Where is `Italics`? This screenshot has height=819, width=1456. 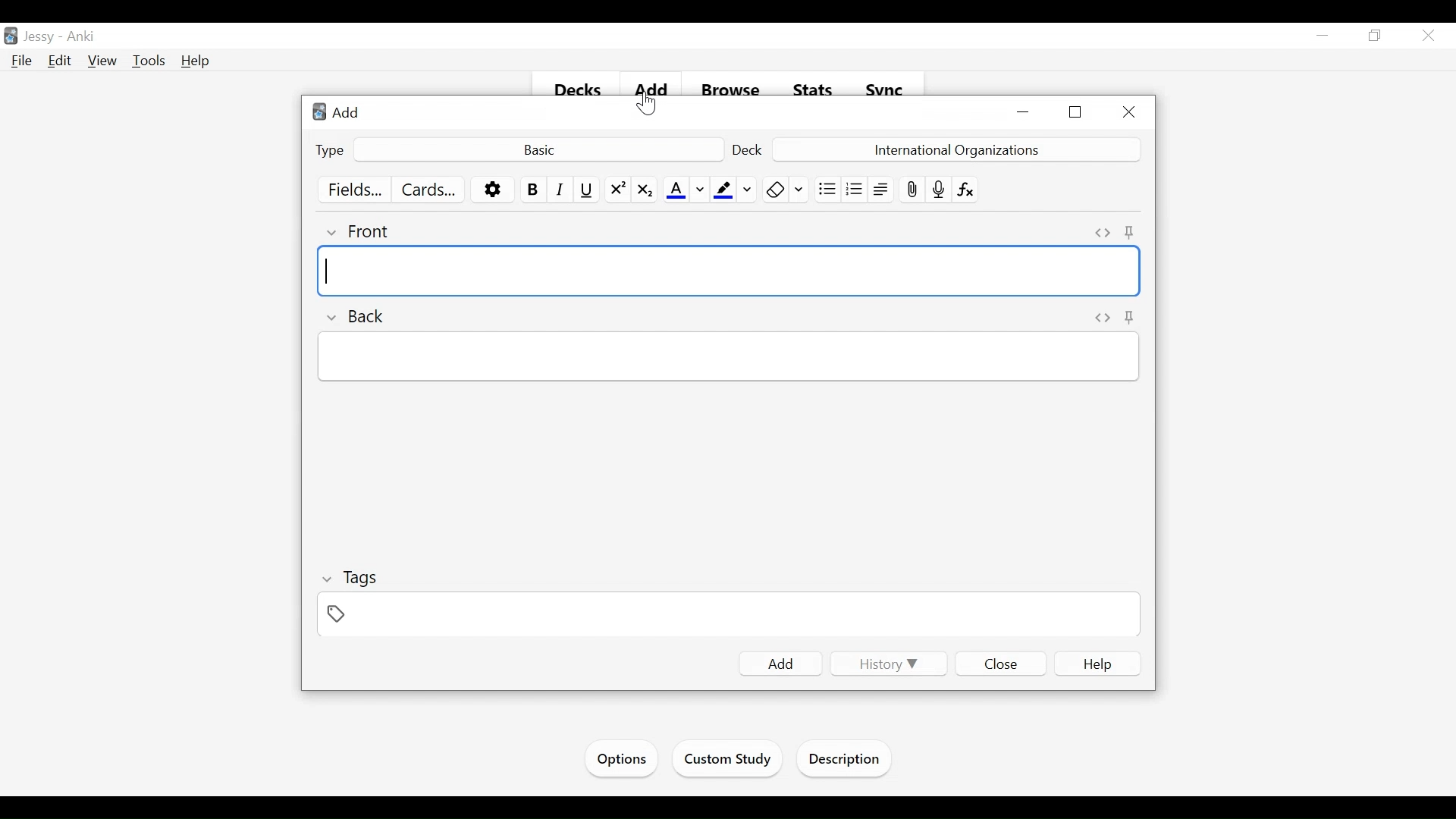 Italics is located at coordinates (560, 190).